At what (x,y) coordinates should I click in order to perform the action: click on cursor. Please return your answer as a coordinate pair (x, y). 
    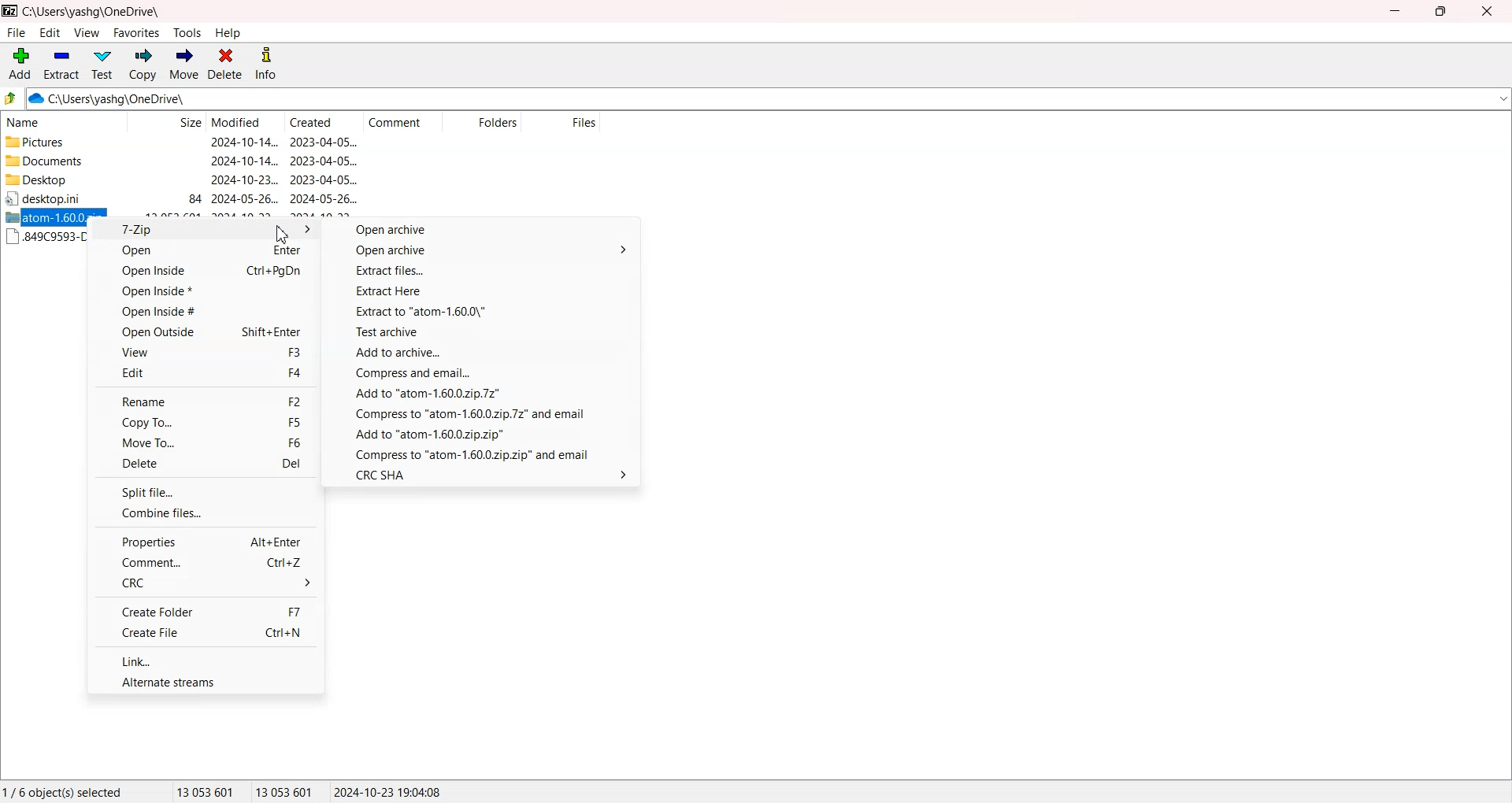
    Looking at the image, I should click on (283, 234).